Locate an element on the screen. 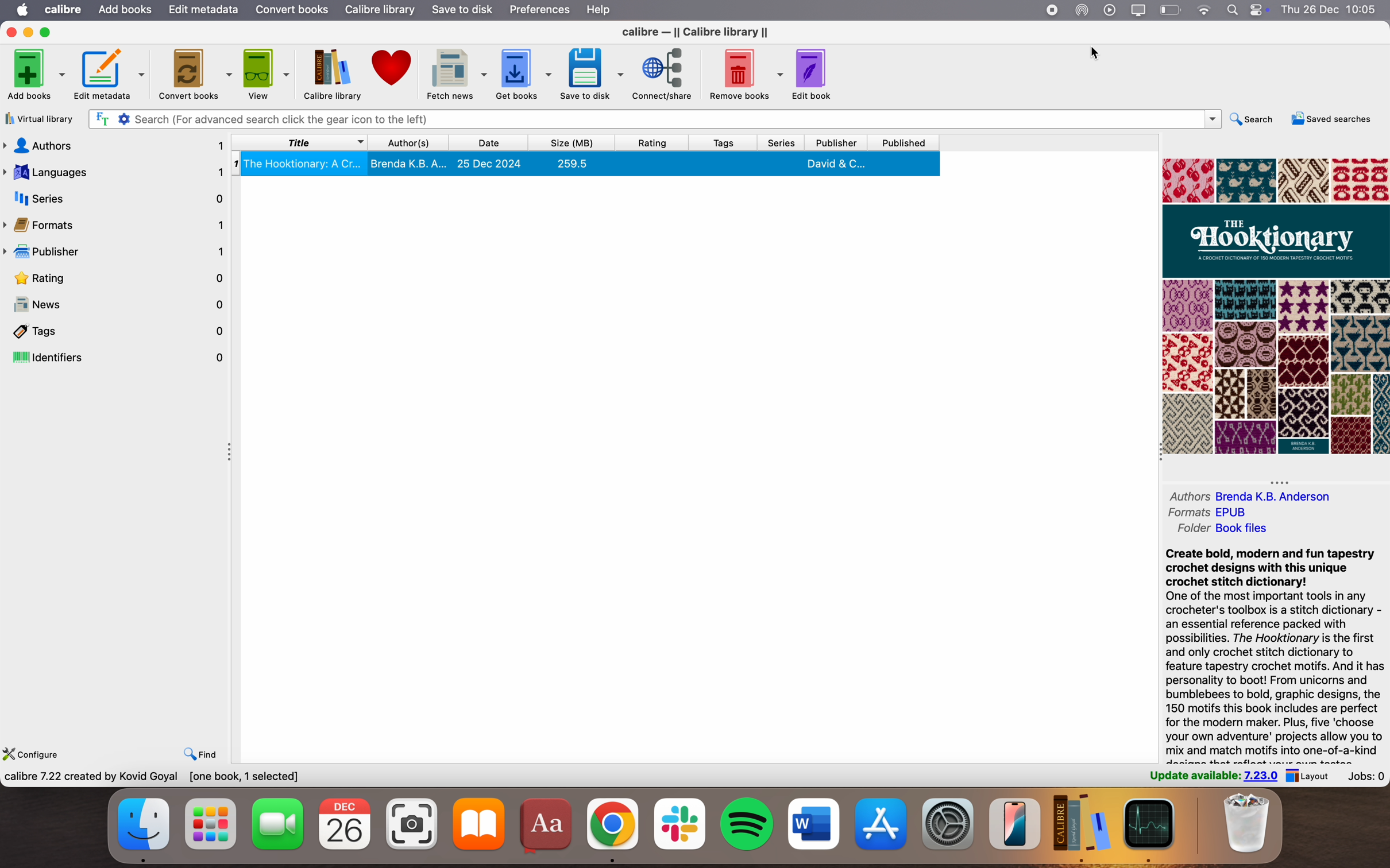  publisher is located at coordinates (839, 142).